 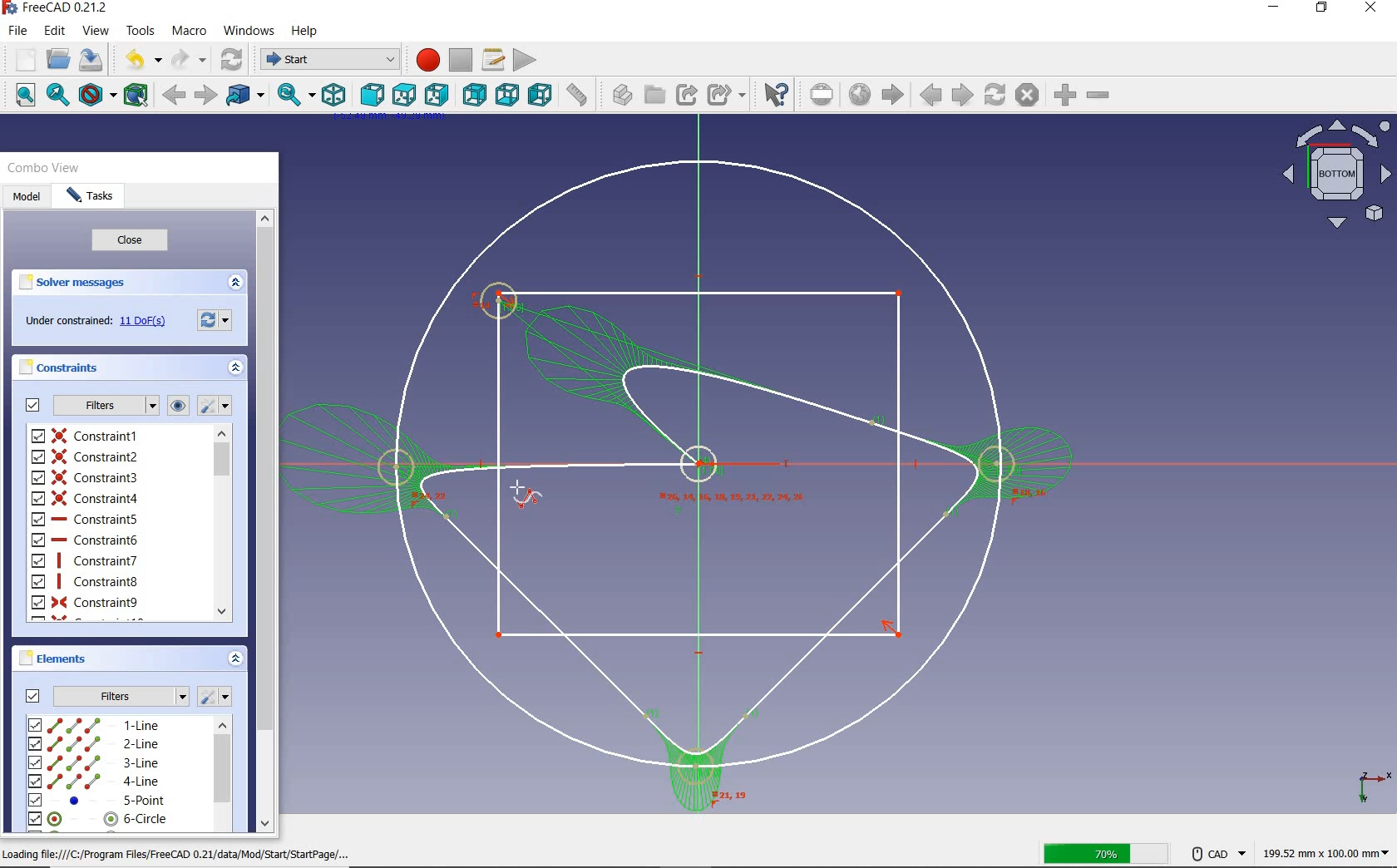 What do you see at coordinates (1335, 175) in the screenshot?
I see `bottom view` at bounding box center [1335, 175].